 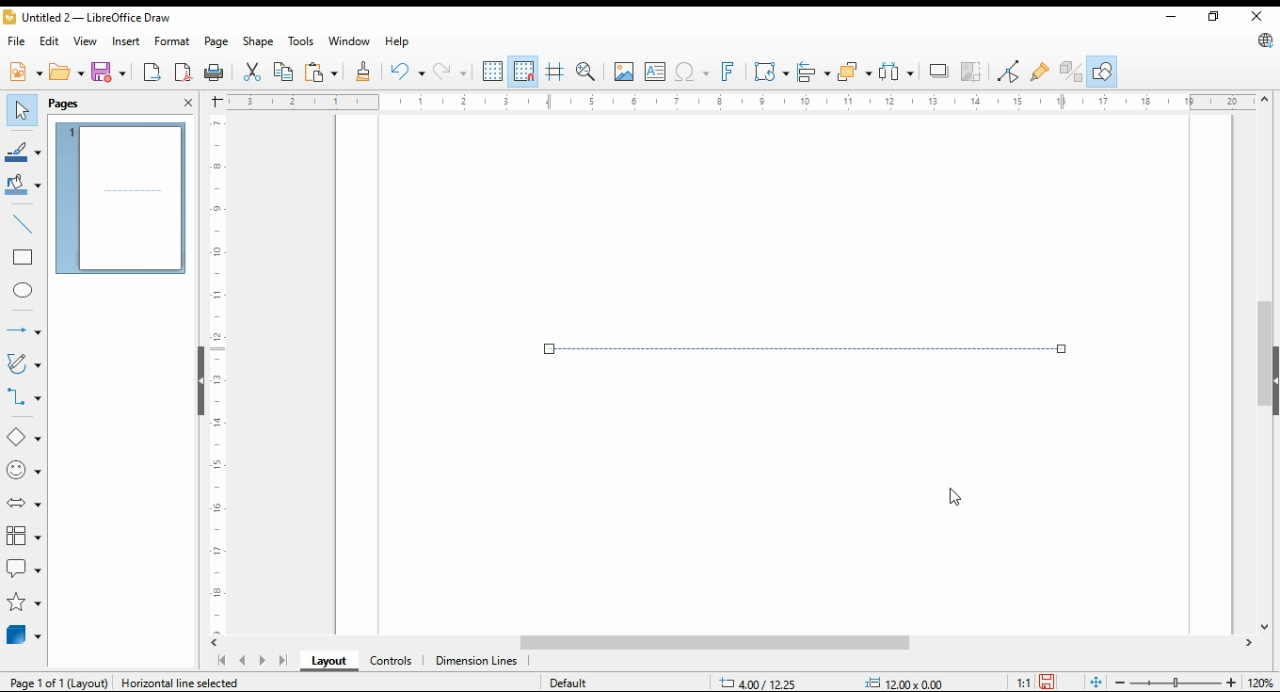 I want to click on ellipse, so click(x=24, y=291).